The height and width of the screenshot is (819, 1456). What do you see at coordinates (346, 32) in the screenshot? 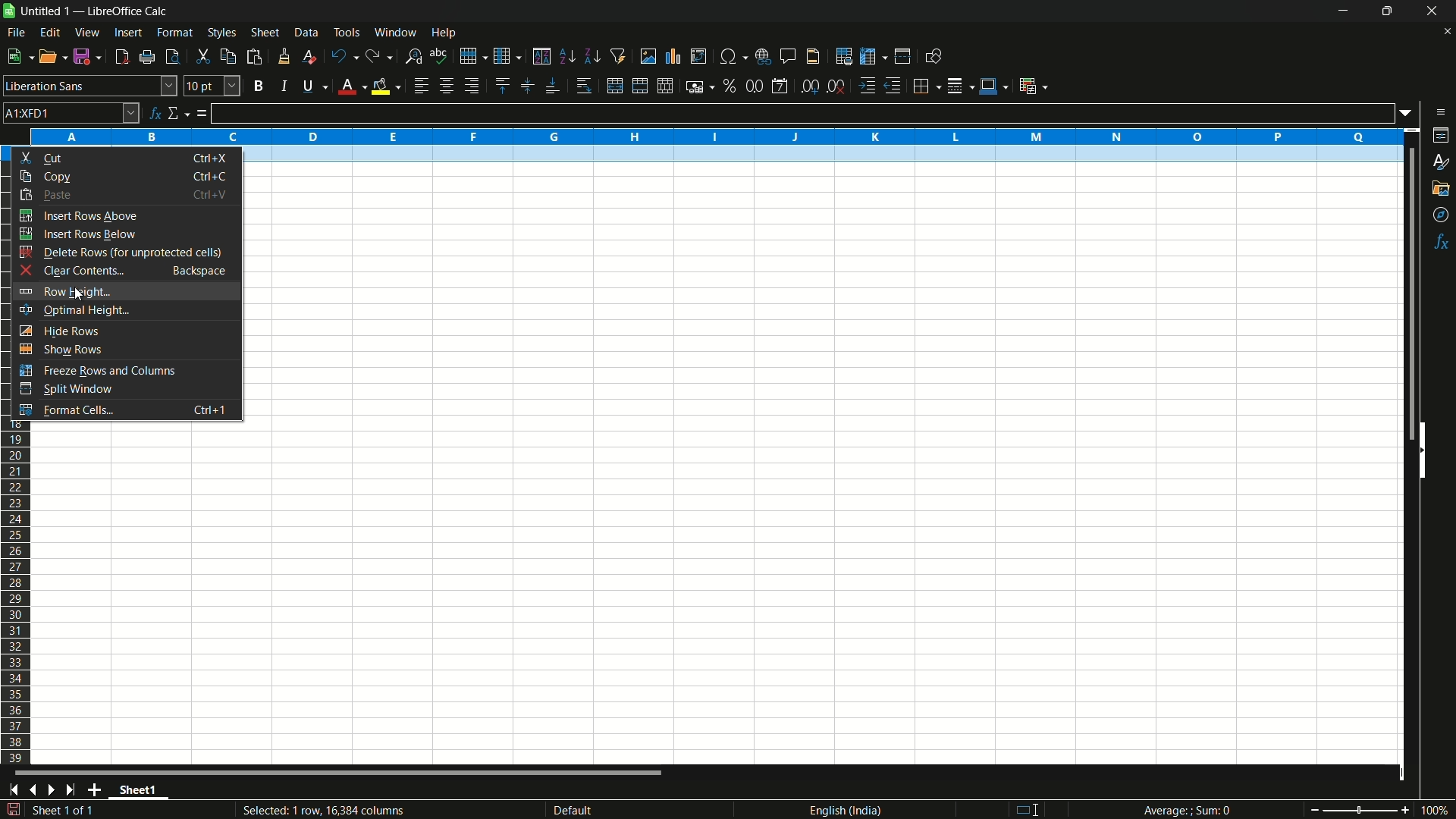
I see `tools menu` at bounding box center [346, 32].